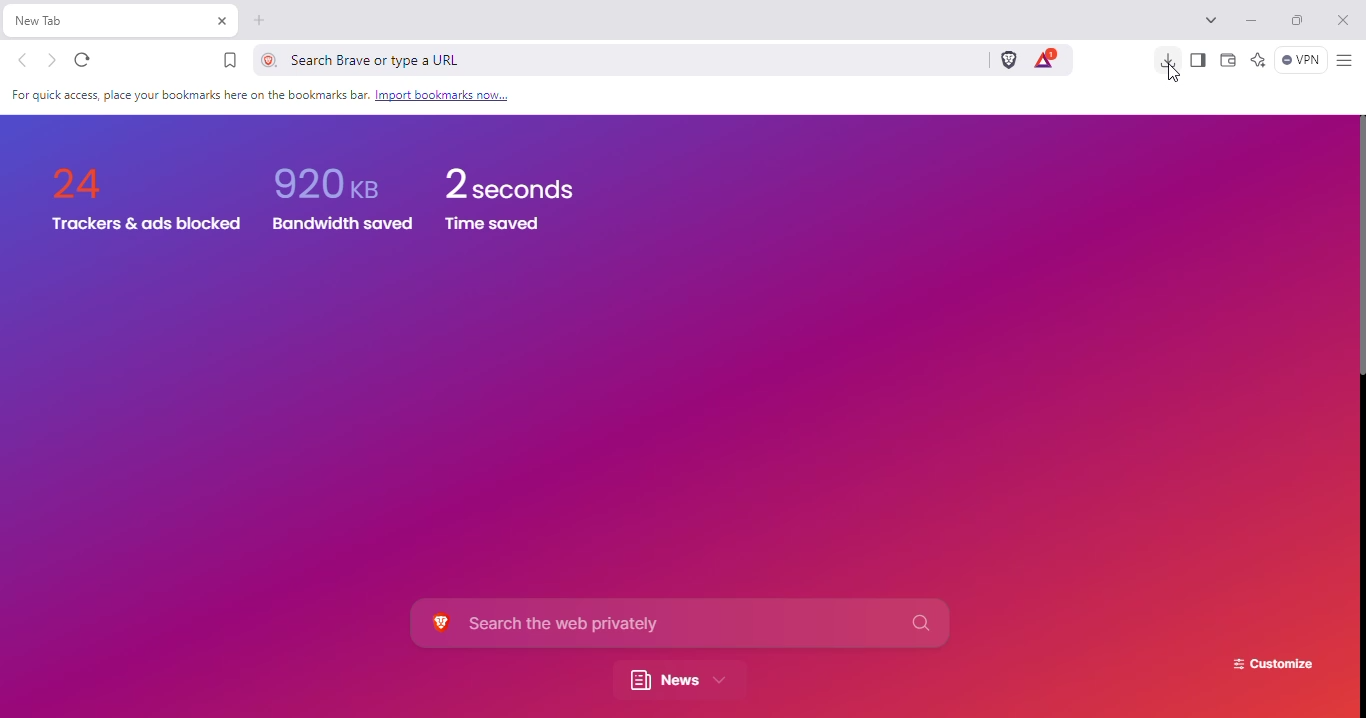 Image resolution: width=1366 pixels, height=718 pixels. I want to click on close tab, so click(222, 21).